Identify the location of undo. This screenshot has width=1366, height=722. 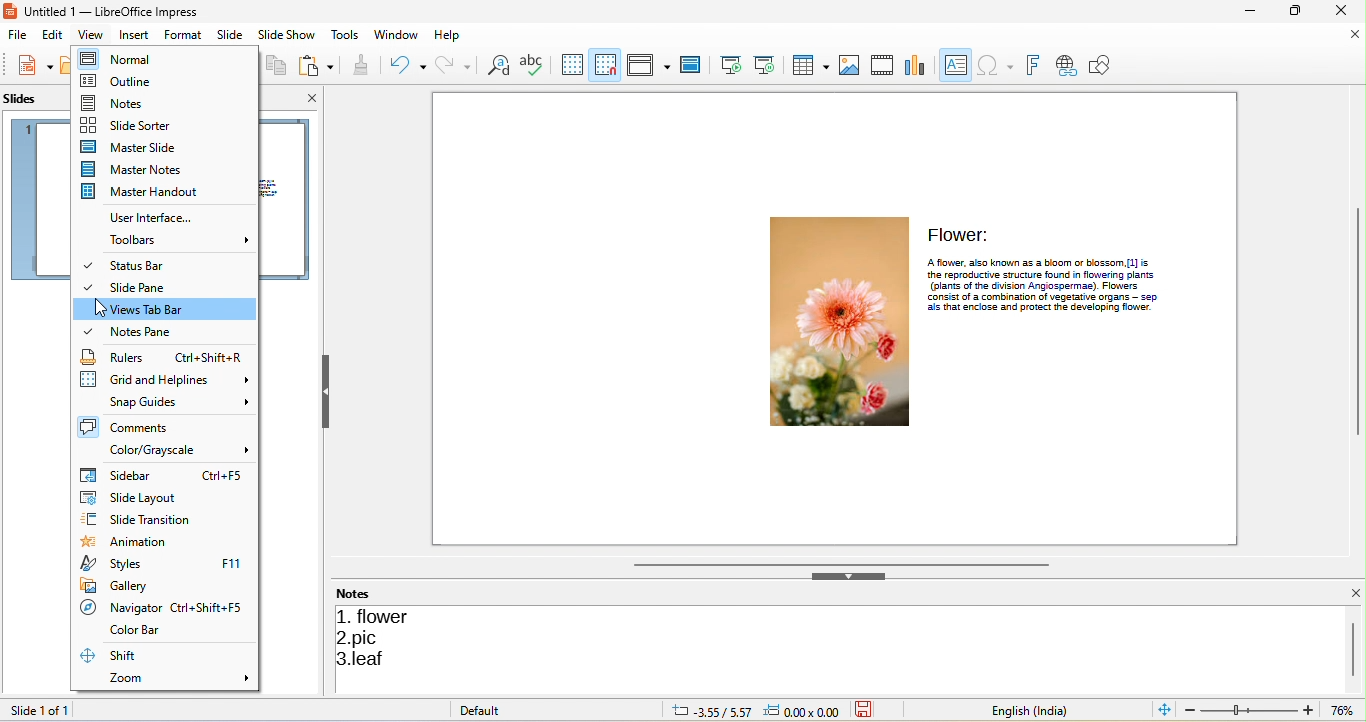
(405, 65).